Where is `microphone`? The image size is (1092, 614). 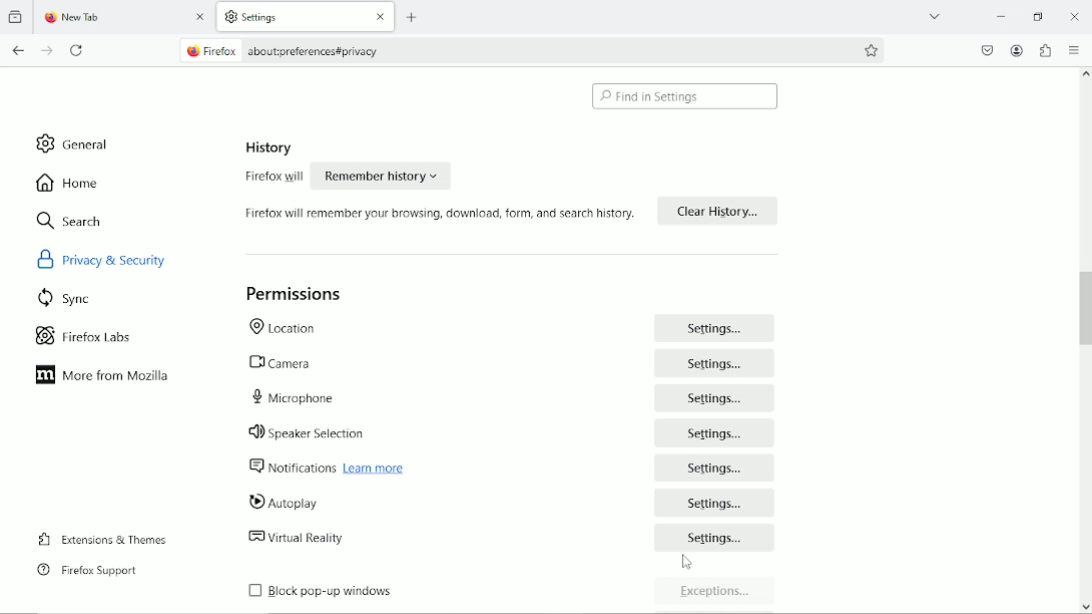
microphone is located at coordinates (393, 396).